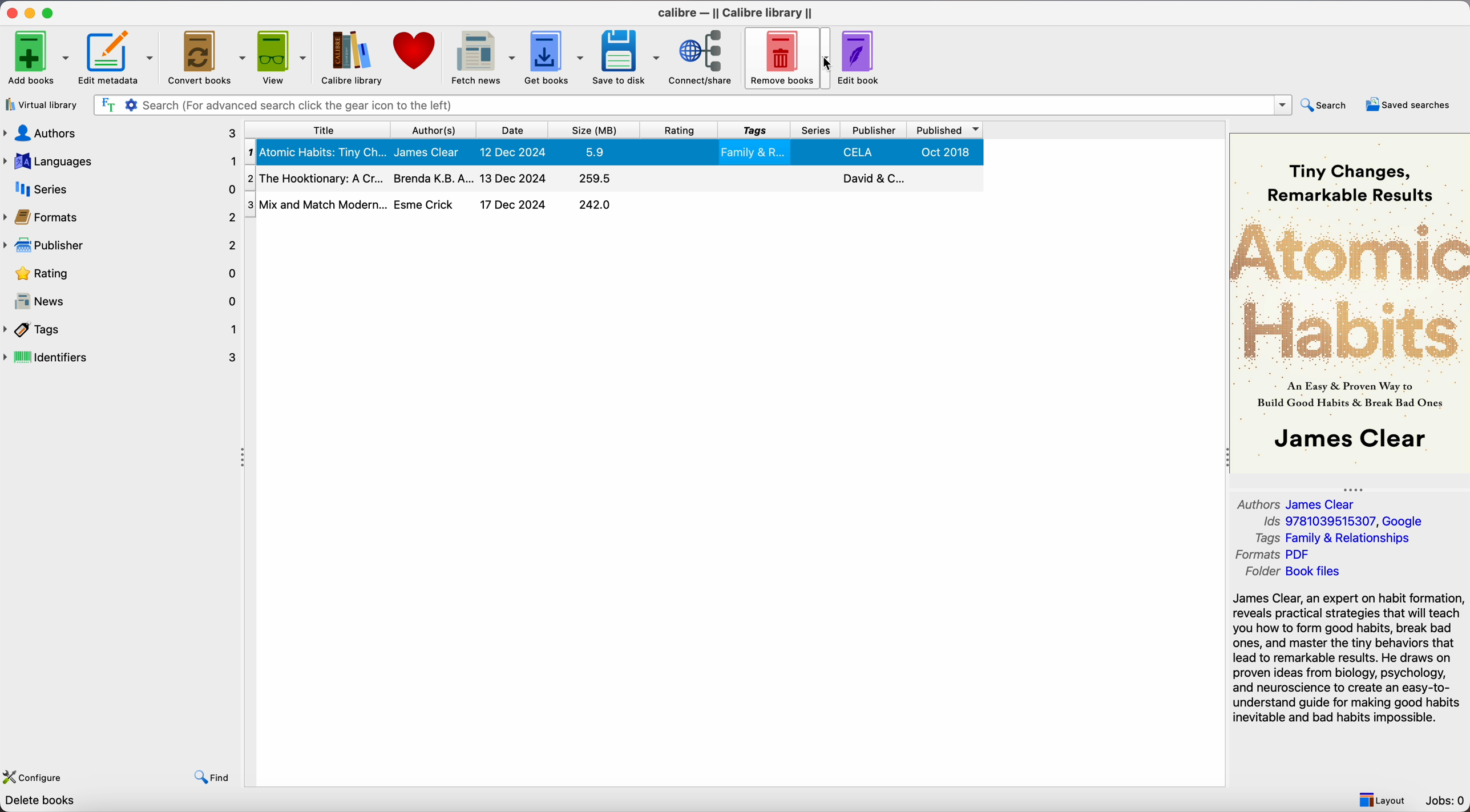  Describe the element at coordinates (120, 161) in the screenshot. I see `languages` at that location.